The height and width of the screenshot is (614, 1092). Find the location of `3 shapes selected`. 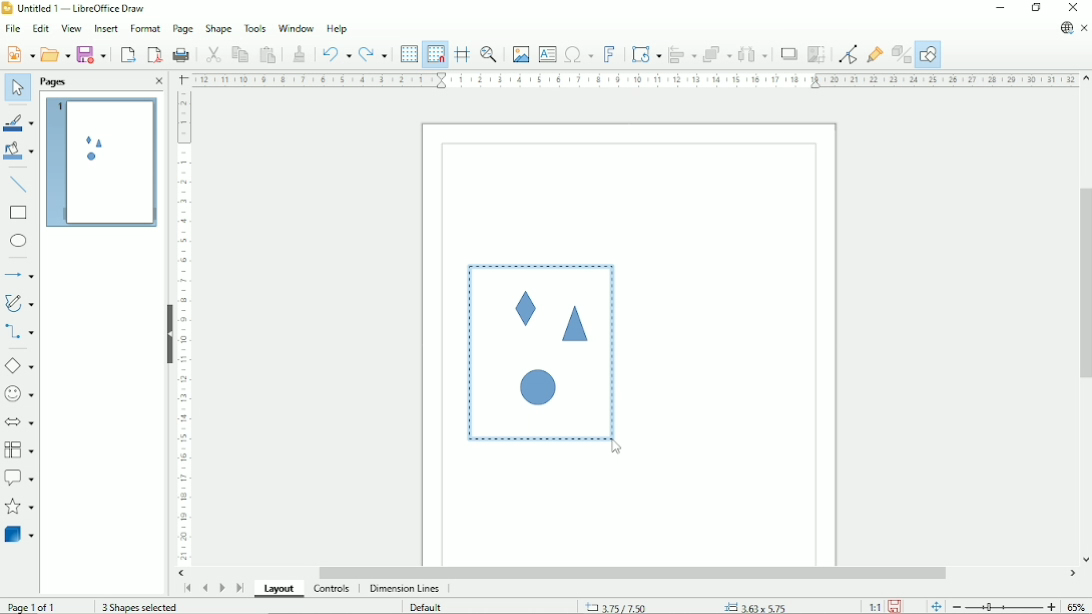

3 shapes selected is located at coordinates (138, 607).